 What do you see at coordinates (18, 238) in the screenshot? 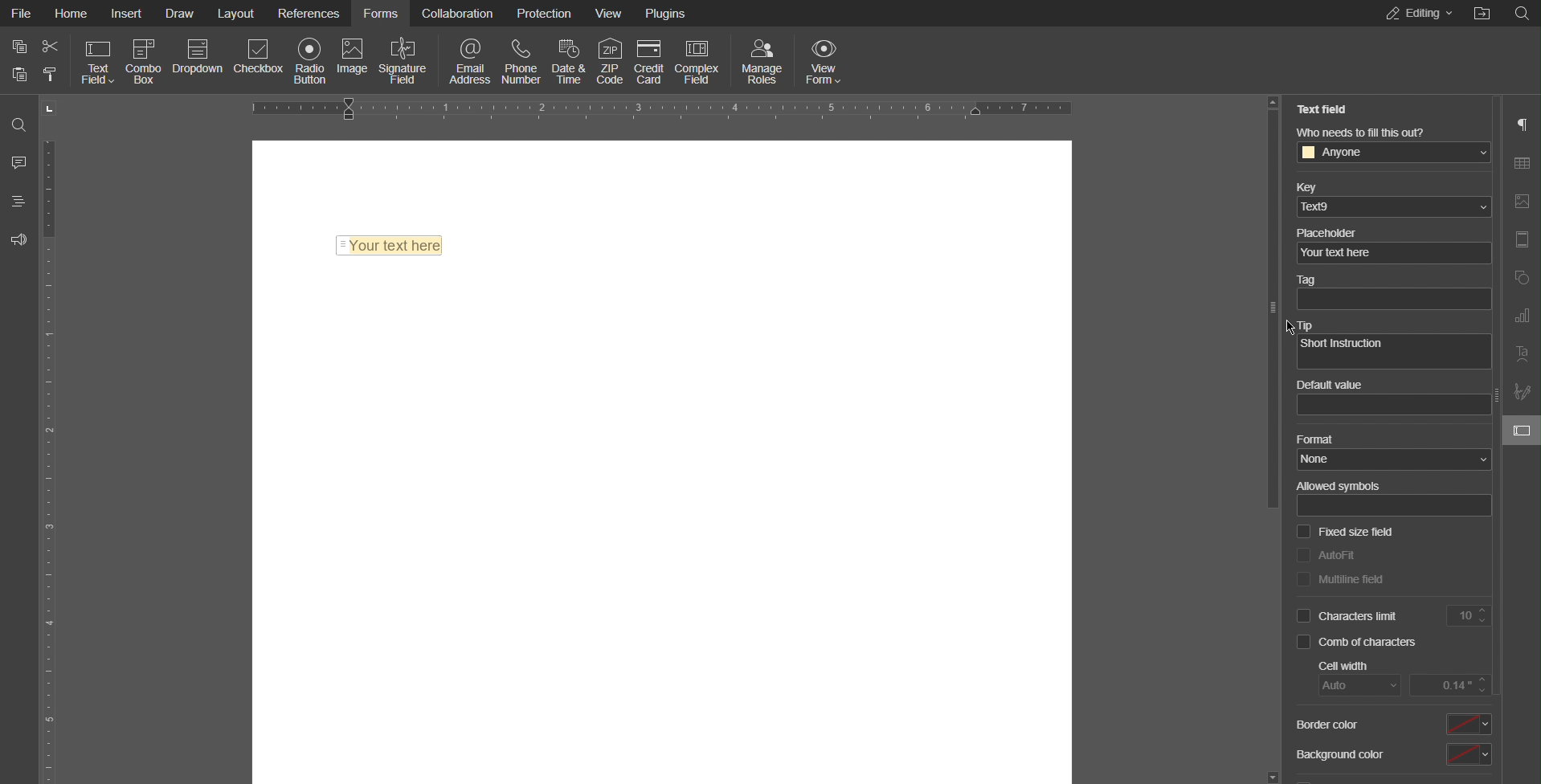
I see `Feedback and Support` at bounding box center [18, 238].